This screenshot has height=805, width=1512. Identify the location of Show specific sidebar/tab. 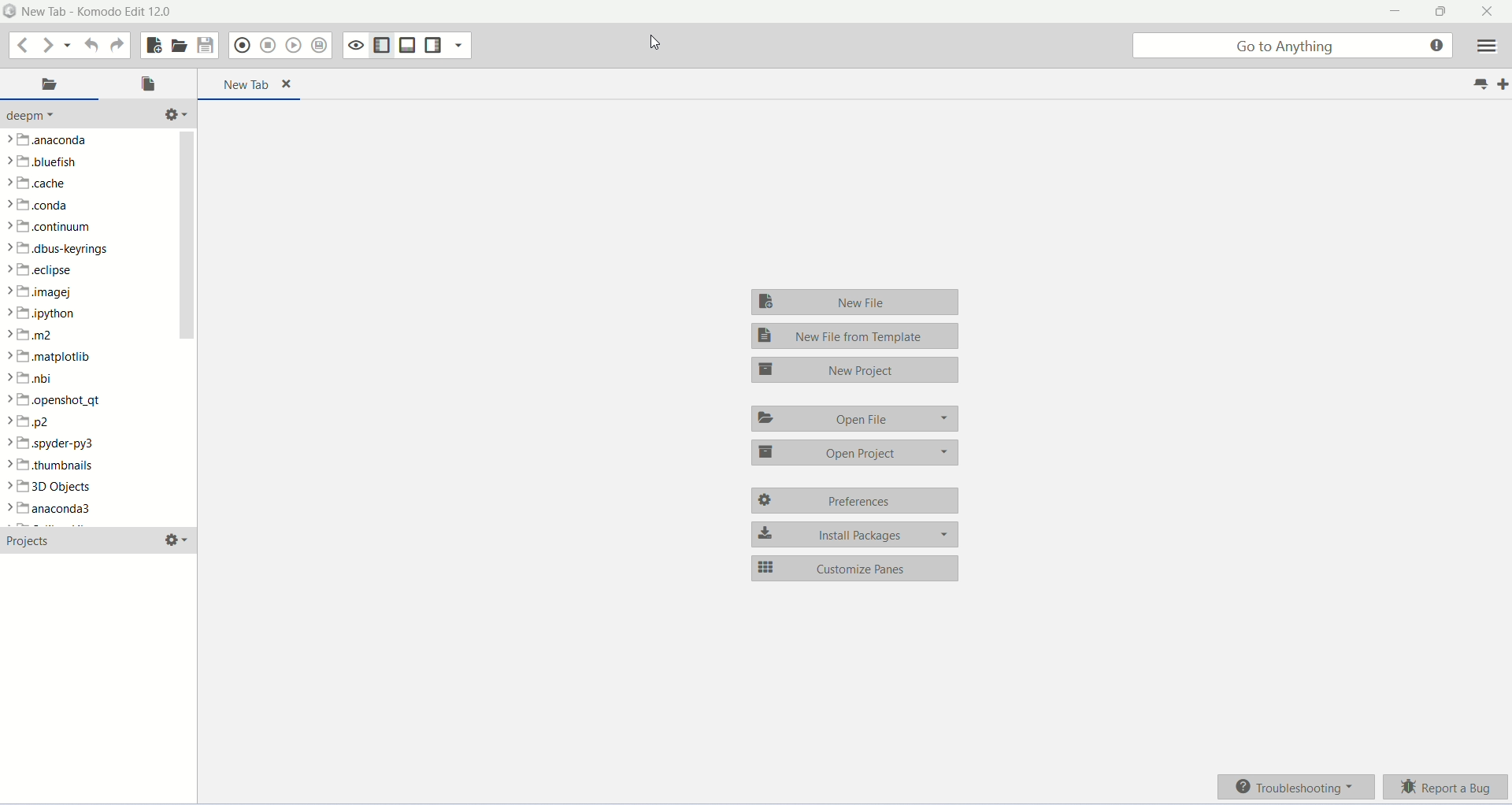
(459, 43).